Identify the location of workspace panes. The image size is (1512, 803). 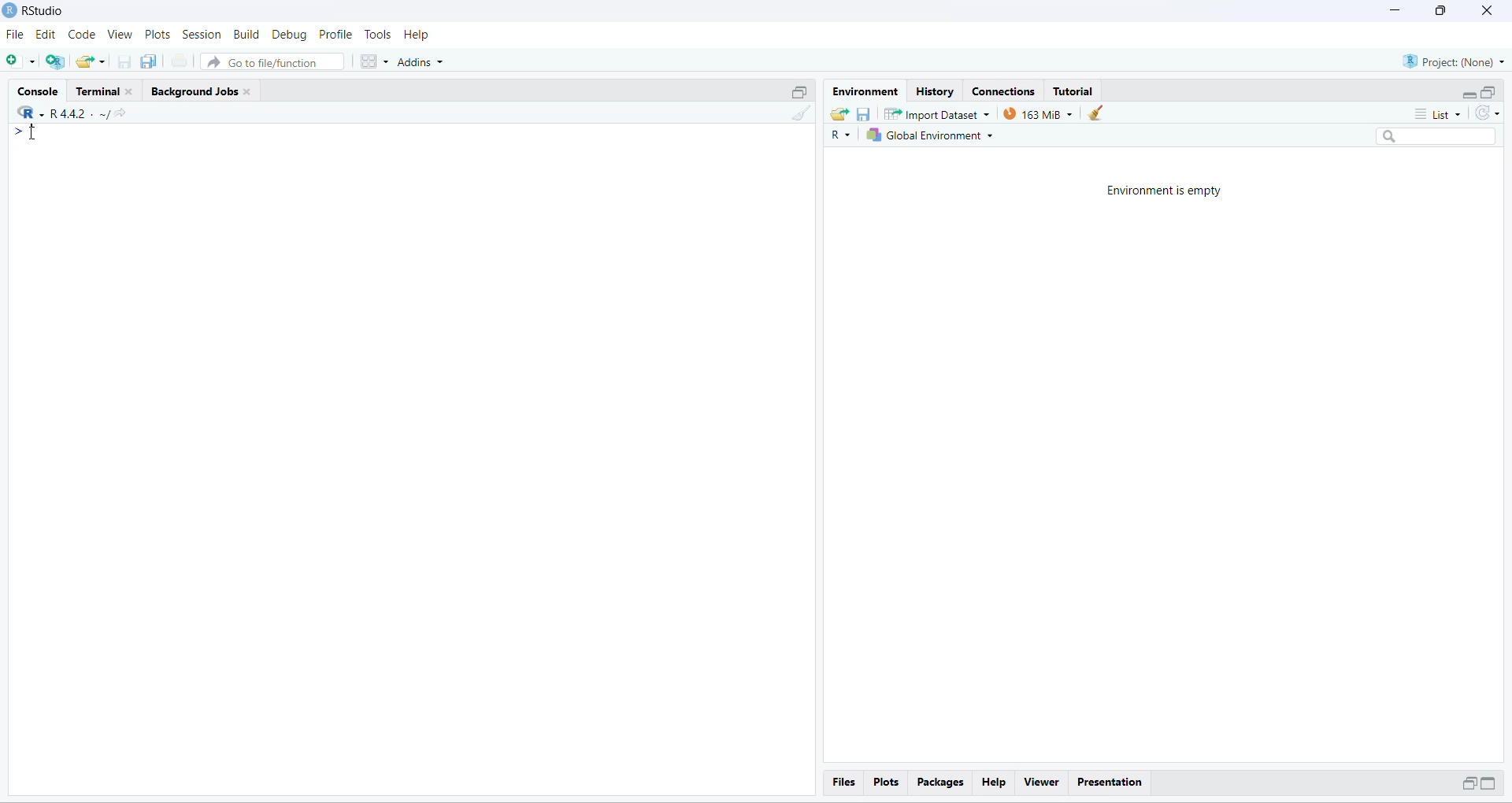
(373, 61).